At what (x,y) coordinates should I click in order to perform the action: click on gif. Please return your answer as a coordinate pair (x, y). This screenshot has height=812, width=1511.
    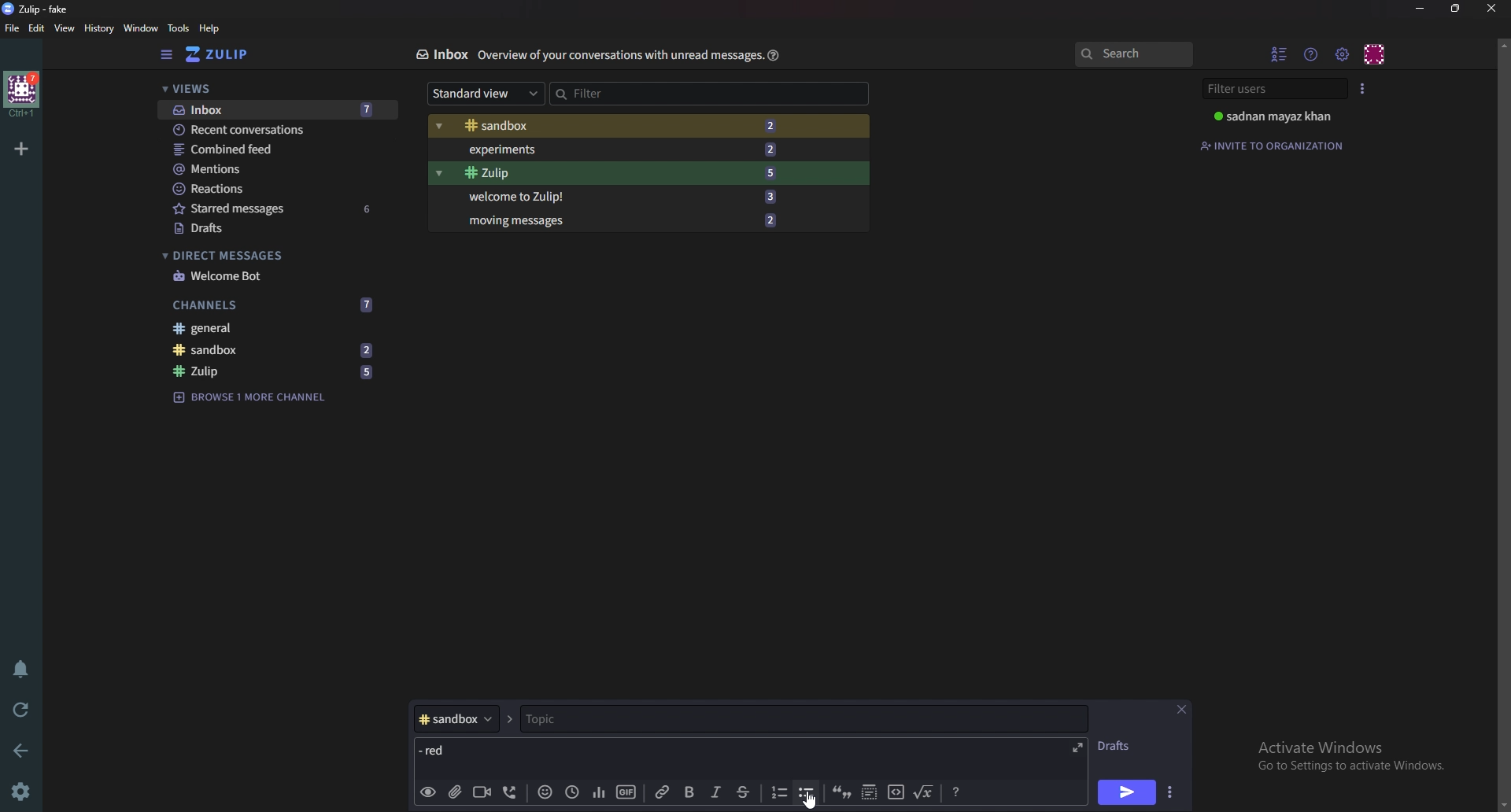
    Looking at the image, I should click on (626, 792).